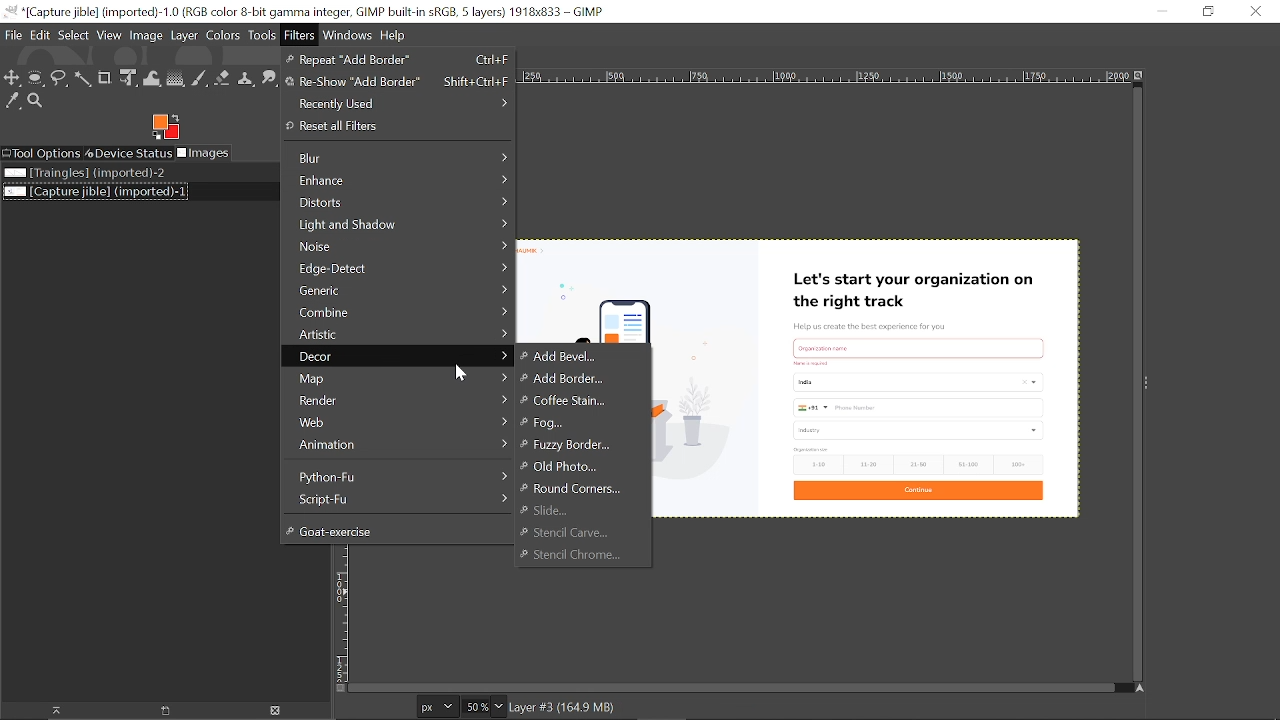 Image resolution: width=1280 pixels, height=720 pixels. I want to click on Raise the image display, so click(166, 711).